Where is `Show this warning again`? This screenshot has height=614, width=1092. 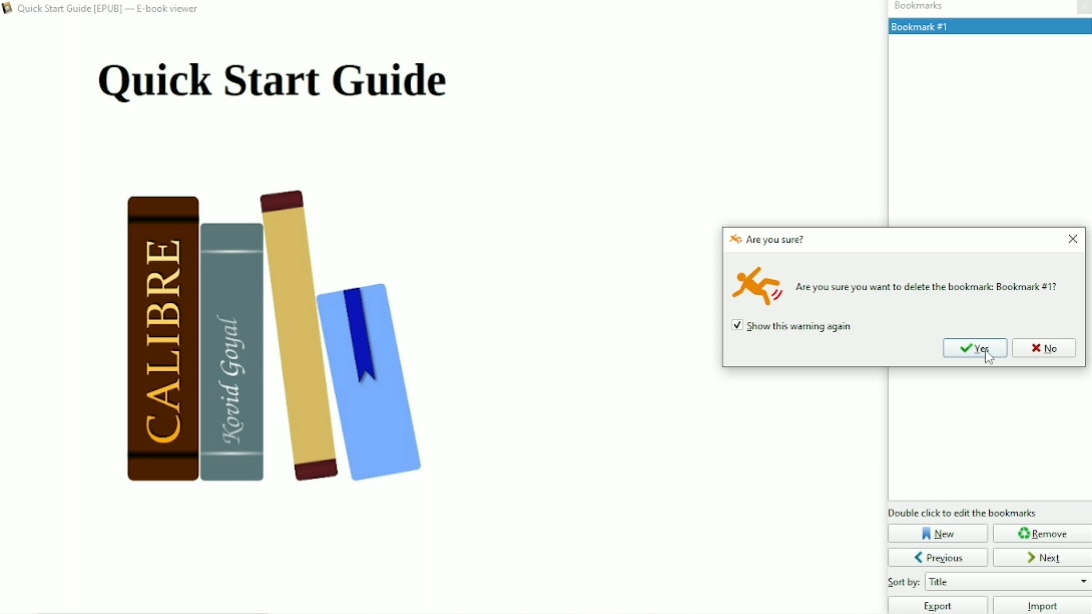 Show this warning again is located at coordinates (806, 326).